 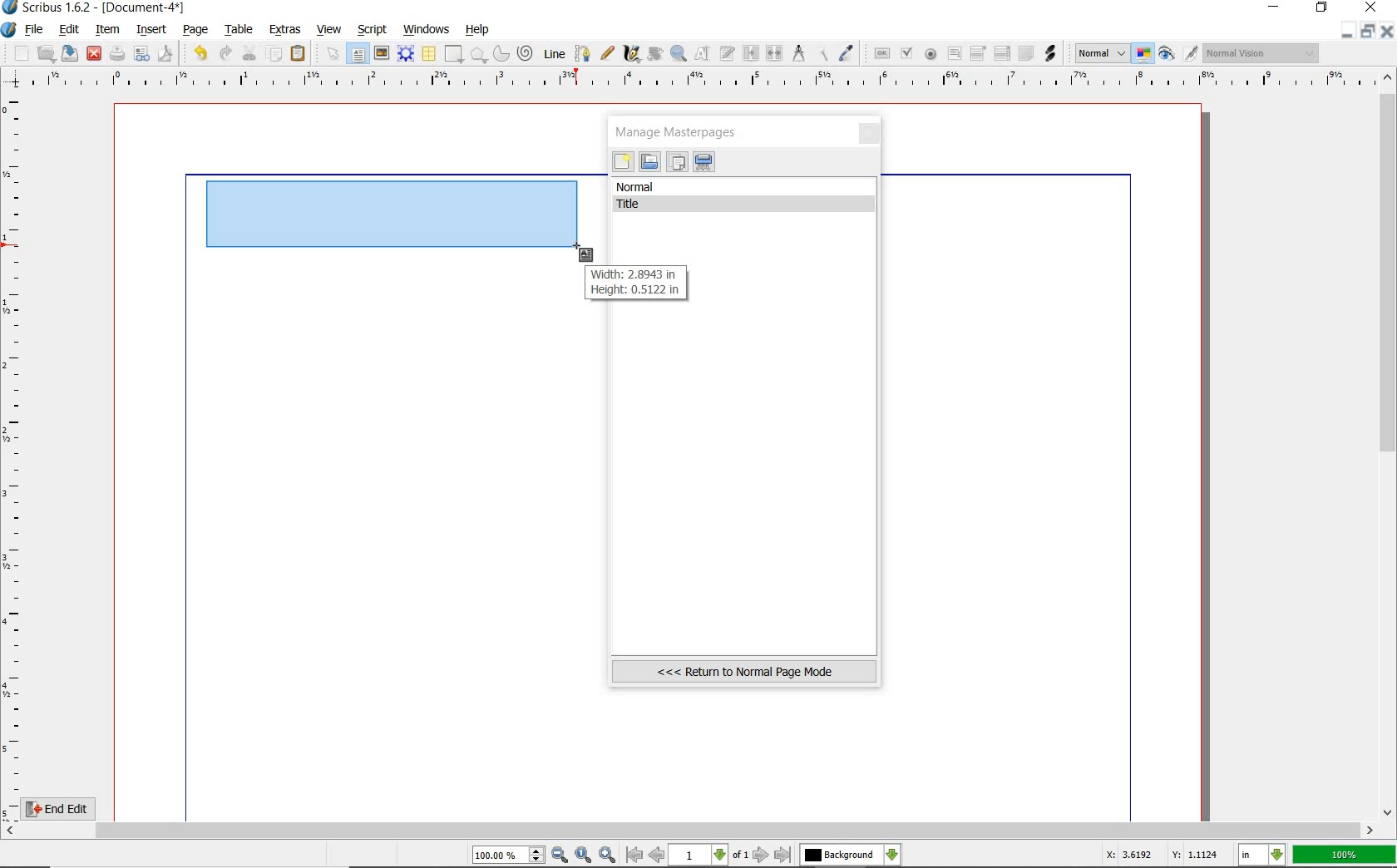 What do you see at coordinates (225, 52) in the screenshot?
I see `redo` at bounding box center [225, 52].